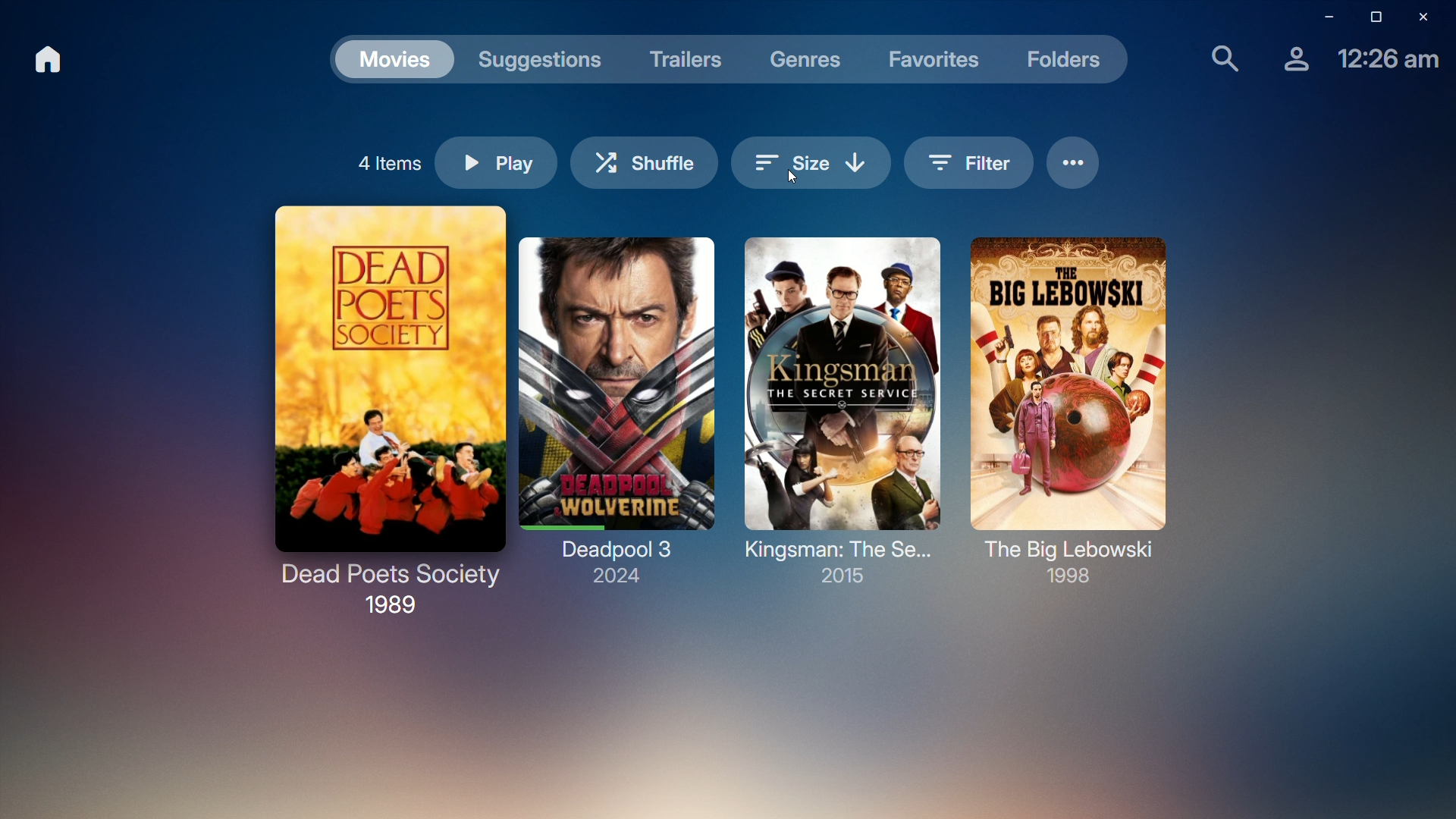 The image size is (1456, 819). Describe the element at coordinates (394, 57) in the screenshot. I see `Movies` at that location.